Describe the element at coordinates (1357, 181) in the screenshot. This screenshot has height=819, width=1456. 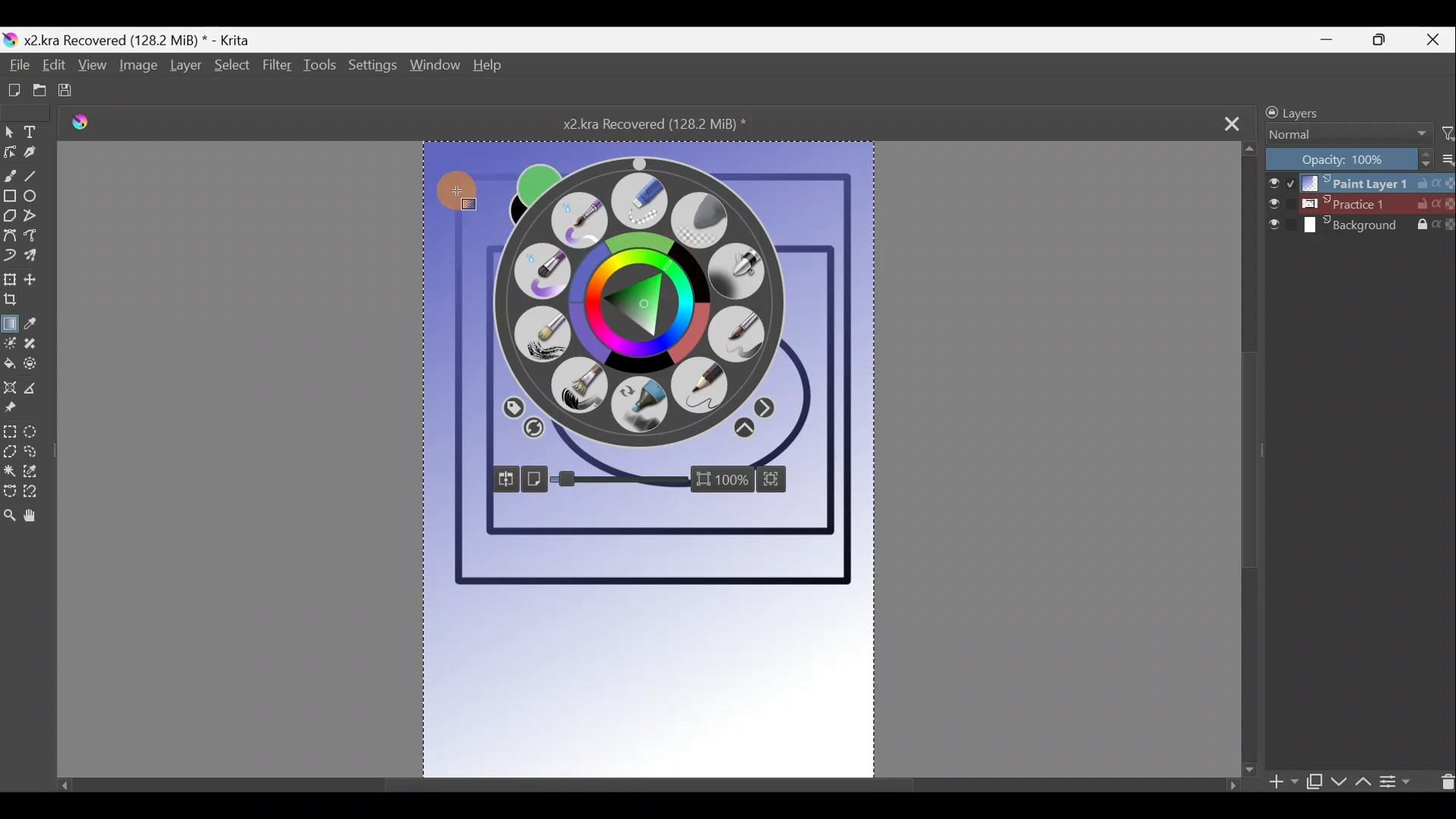
I see `Layer 1` at that location.